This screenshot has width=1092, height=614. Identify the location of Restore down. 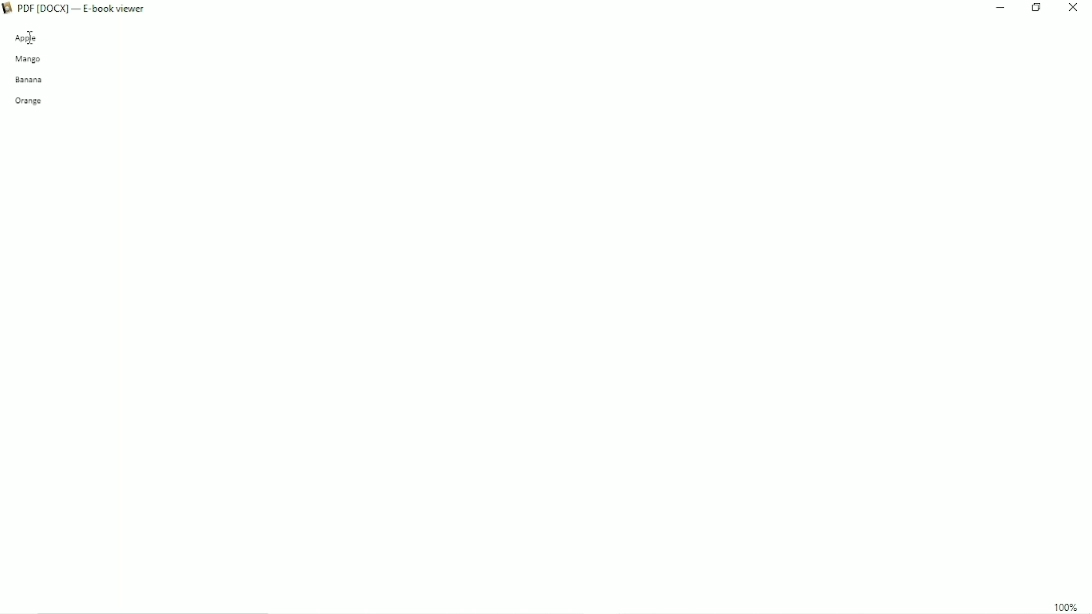
(1037, 8).